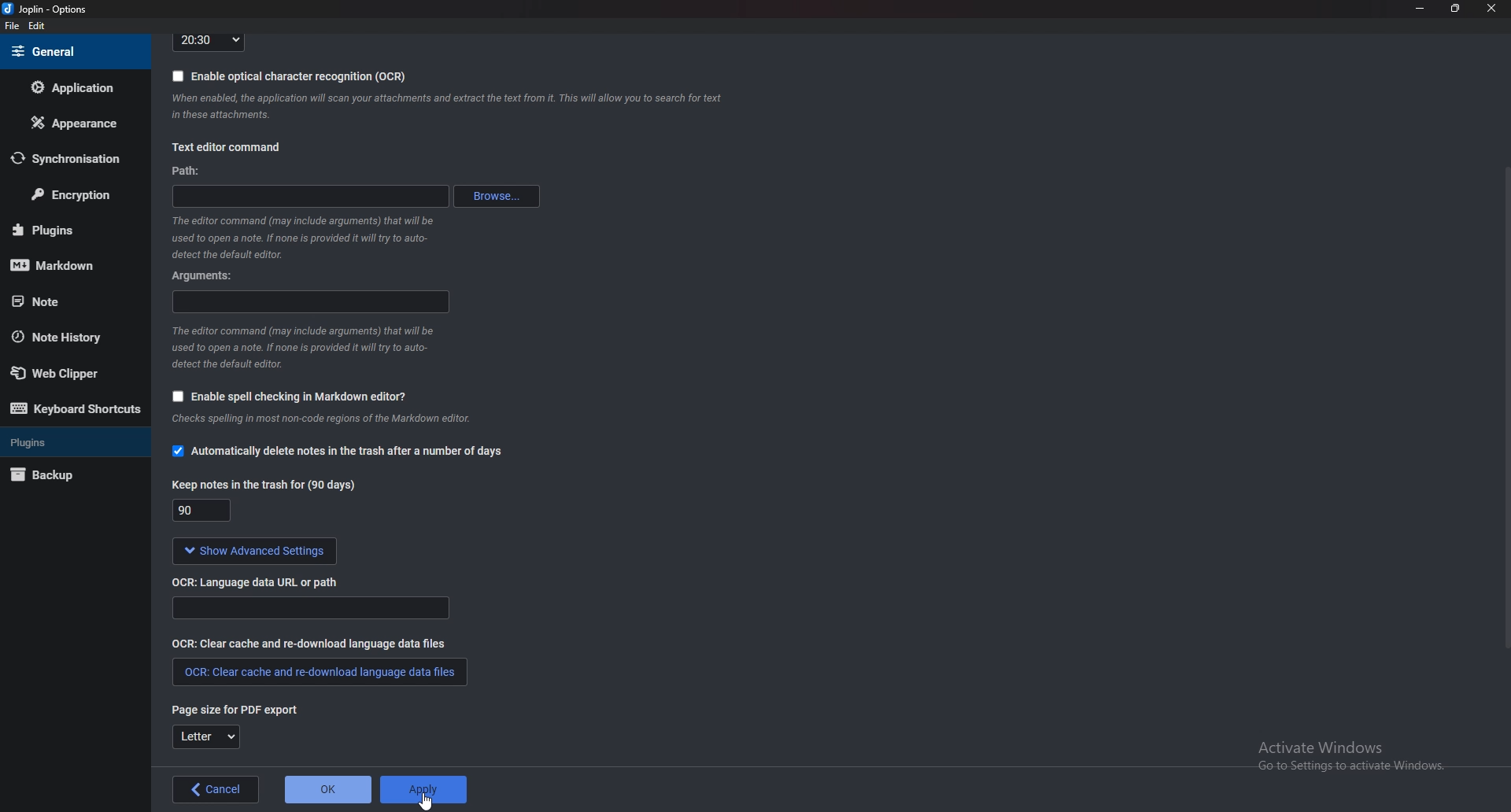 Image resolution: width=1511 pixels, height=812 pixels. What do you see at coordinates (319, 423) in the screenshot?
I see `Info on spell checking` at bounding box center [319, 423].